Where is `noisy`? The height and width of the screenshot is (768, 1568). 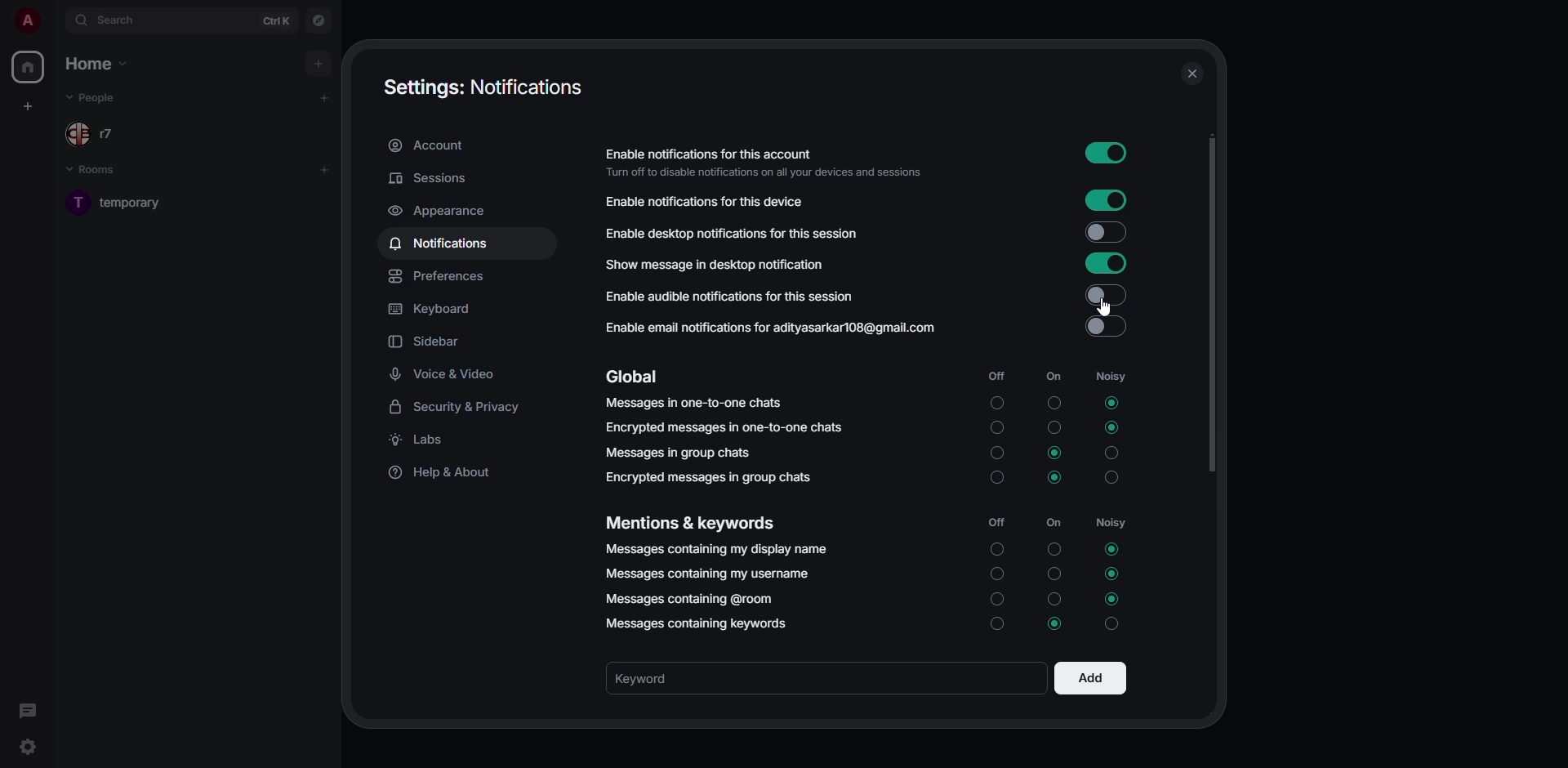
noisy is located at coordinates (1116, 479).